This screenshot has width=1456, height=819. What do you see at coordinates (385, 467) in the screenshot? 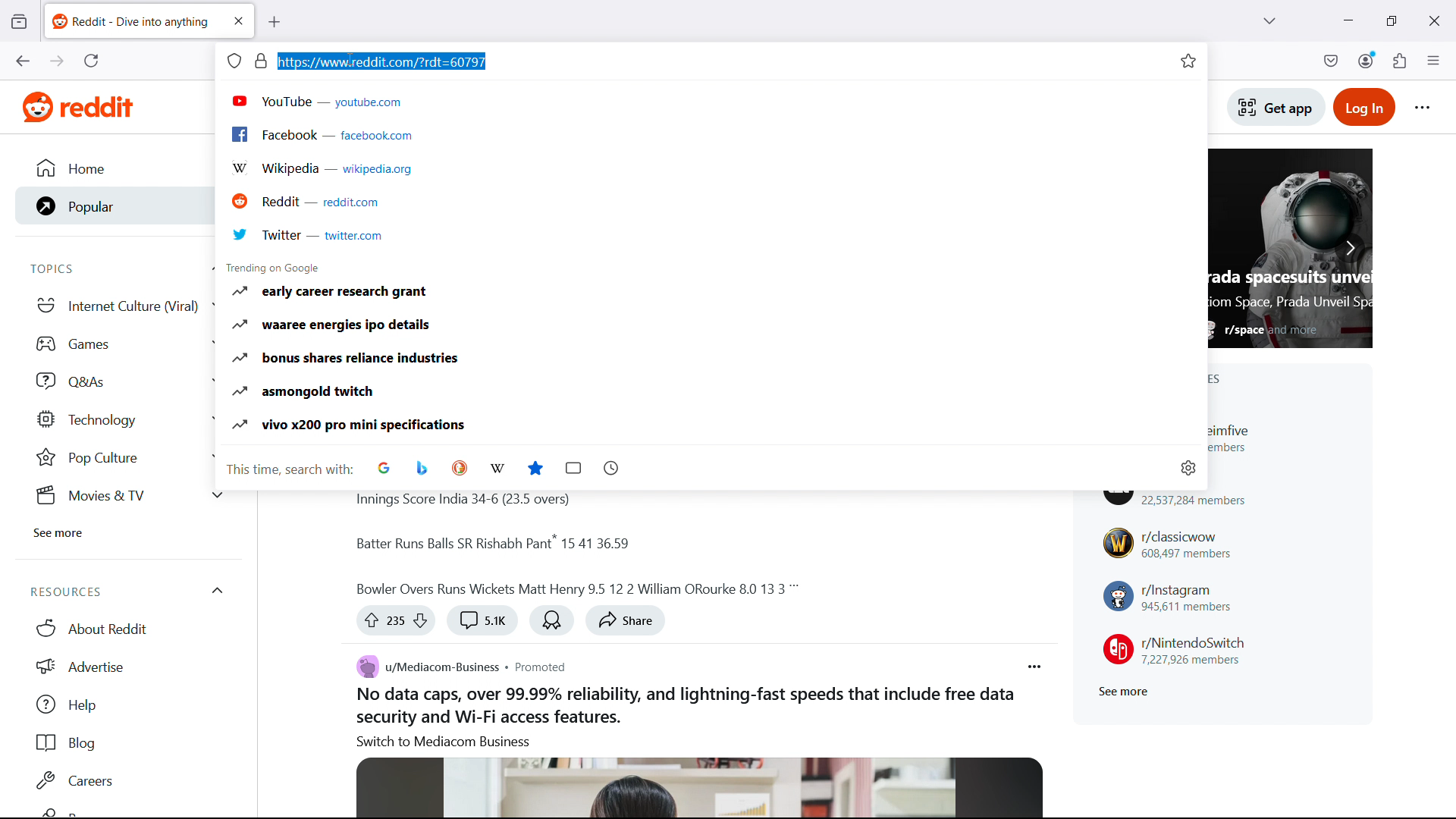
I see `Choose Google` at bounding box center [385, 467].